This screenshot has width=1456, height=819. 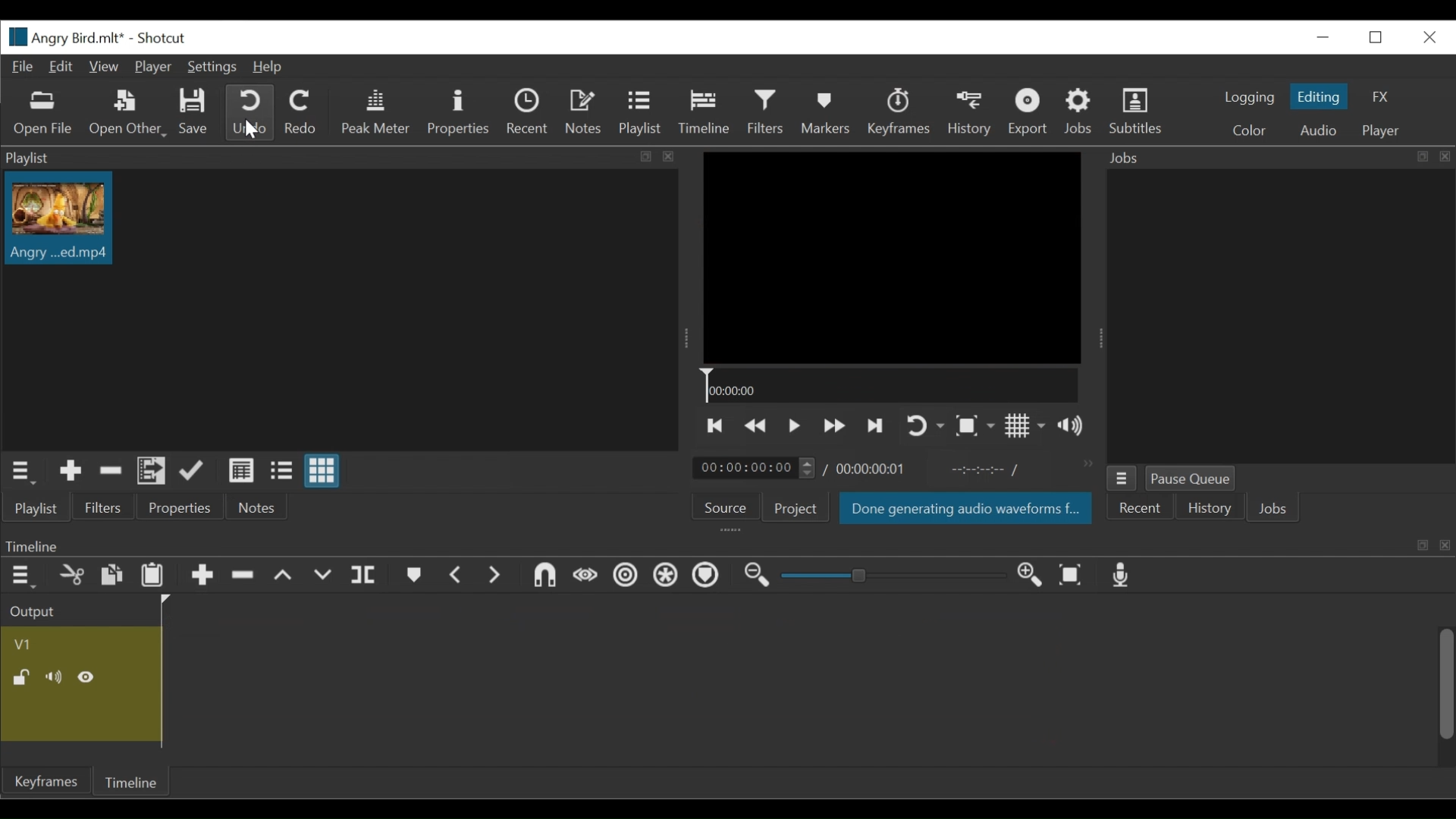 I want to click on Notes, so click(x=585, y=113).